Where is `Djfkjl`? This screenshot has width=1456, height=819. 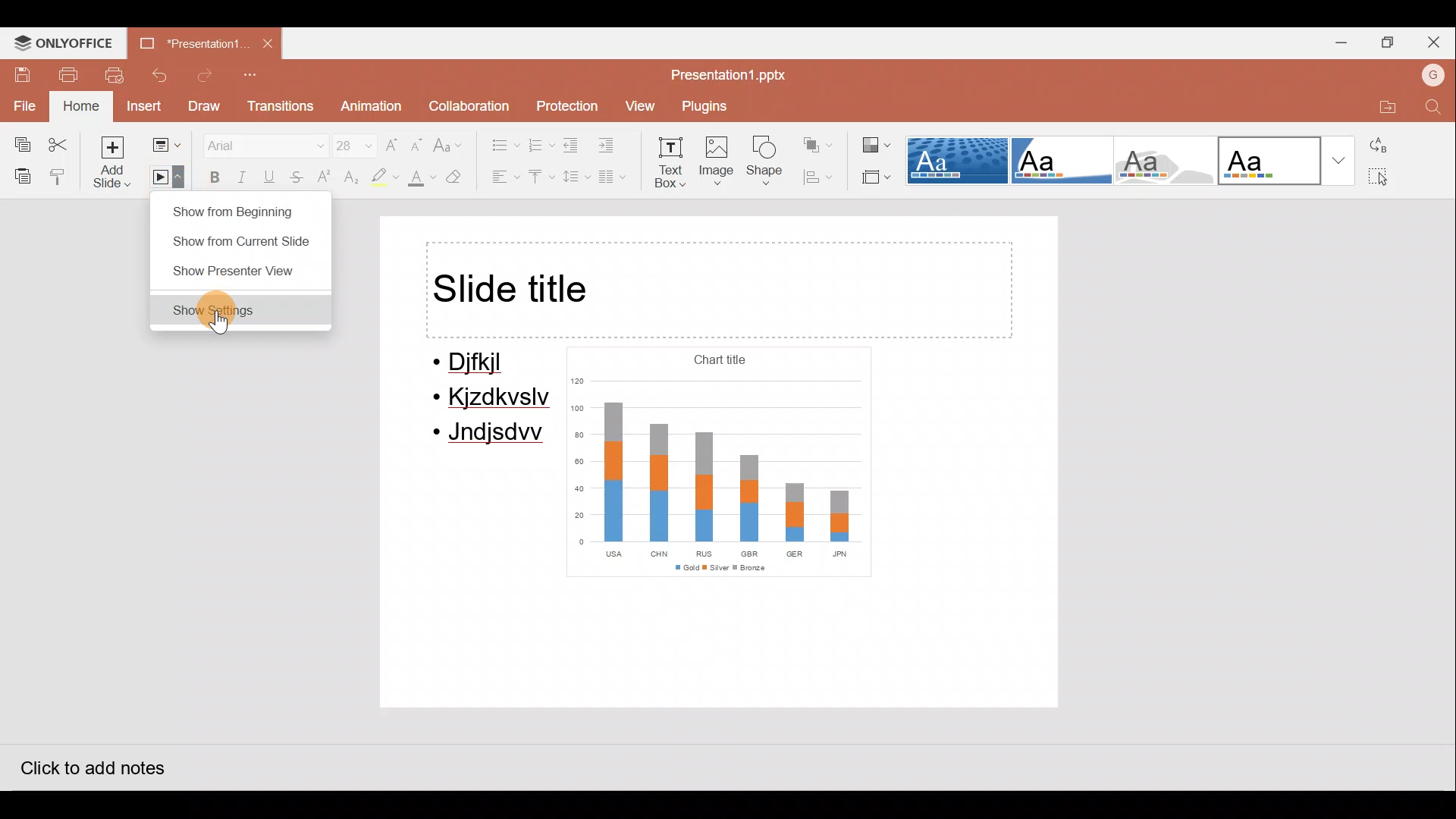
Djfkjl is located at coordinates (478, 363).